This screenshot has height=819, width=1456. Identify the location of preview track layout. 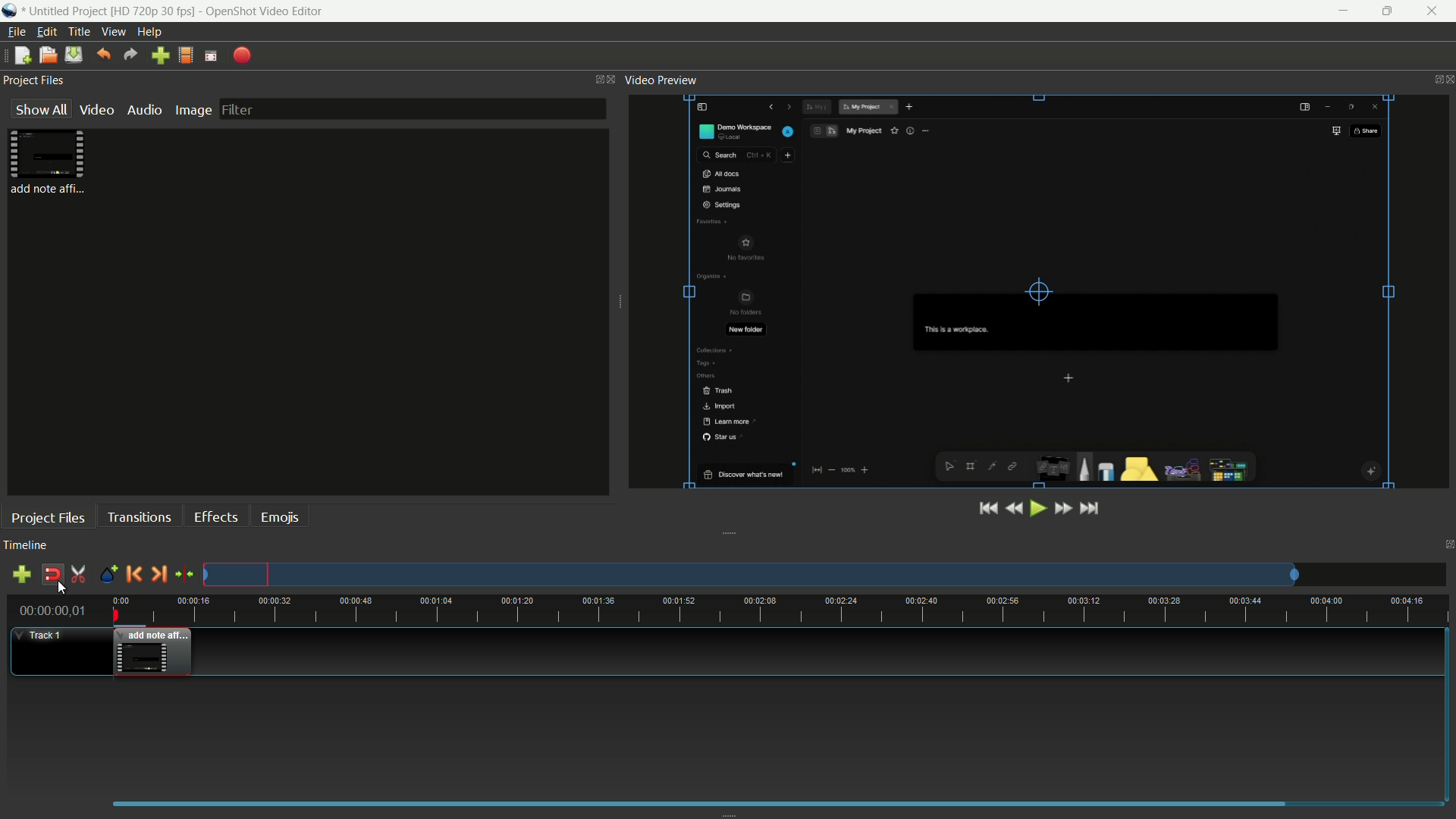
(752, 575).